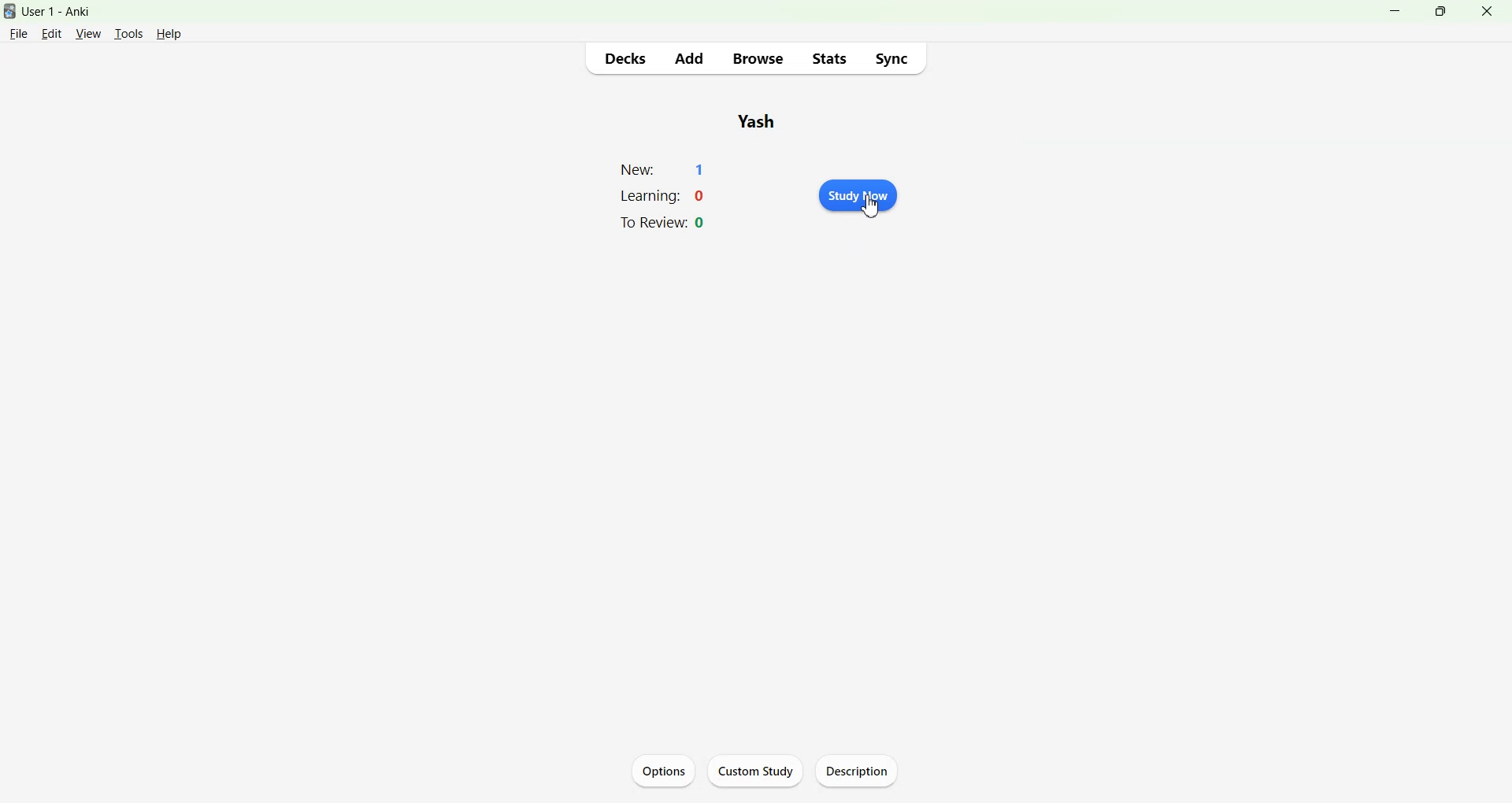 Image resolution: width=1512 pixels, height=803 pixels. I want to click on Description, so click(862, 770).